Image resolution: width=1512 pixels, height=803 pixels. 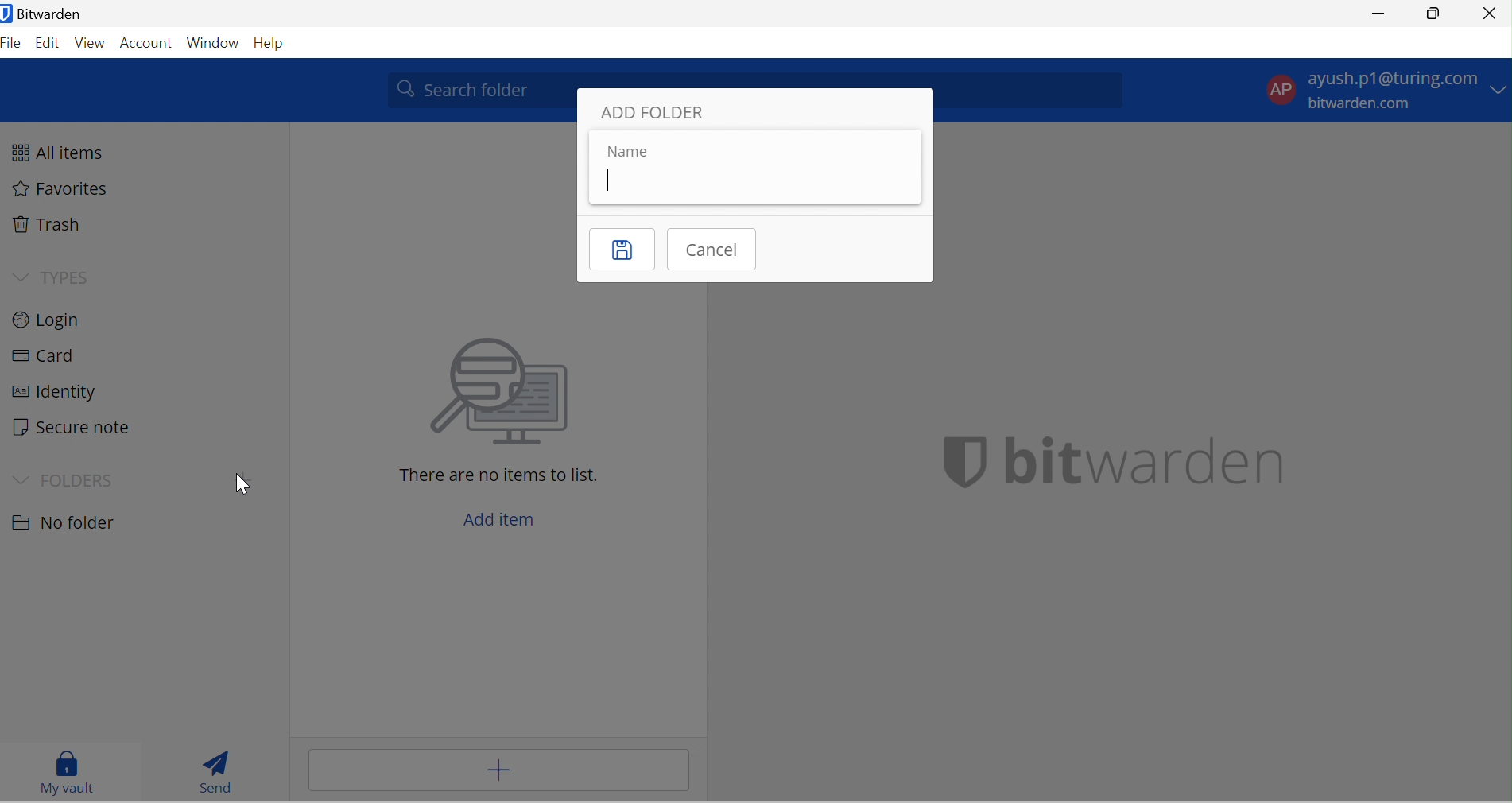 What do you see at coordinates (45, 17) in the screenshot?
I see `Bitwarden` at bounding box center [45, 17].